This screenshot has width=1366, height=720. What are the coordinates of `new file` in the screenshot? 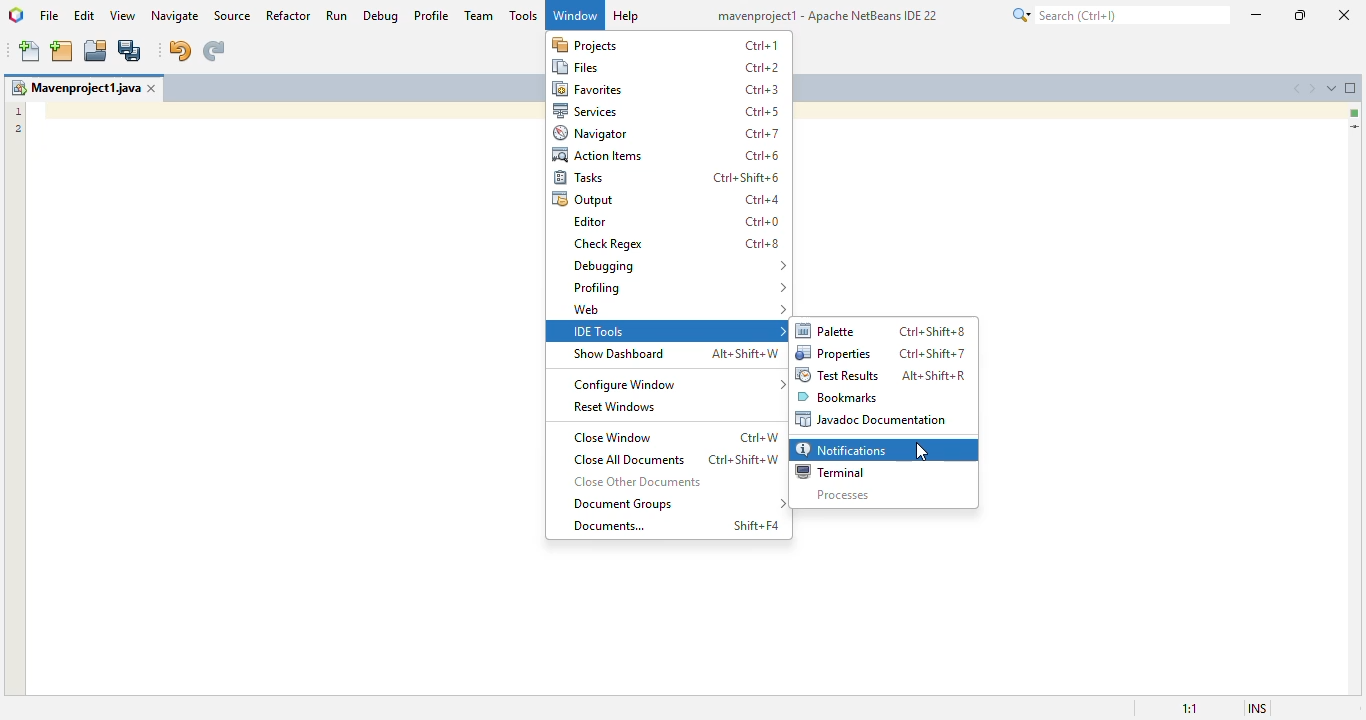 It's located at (31, 52).